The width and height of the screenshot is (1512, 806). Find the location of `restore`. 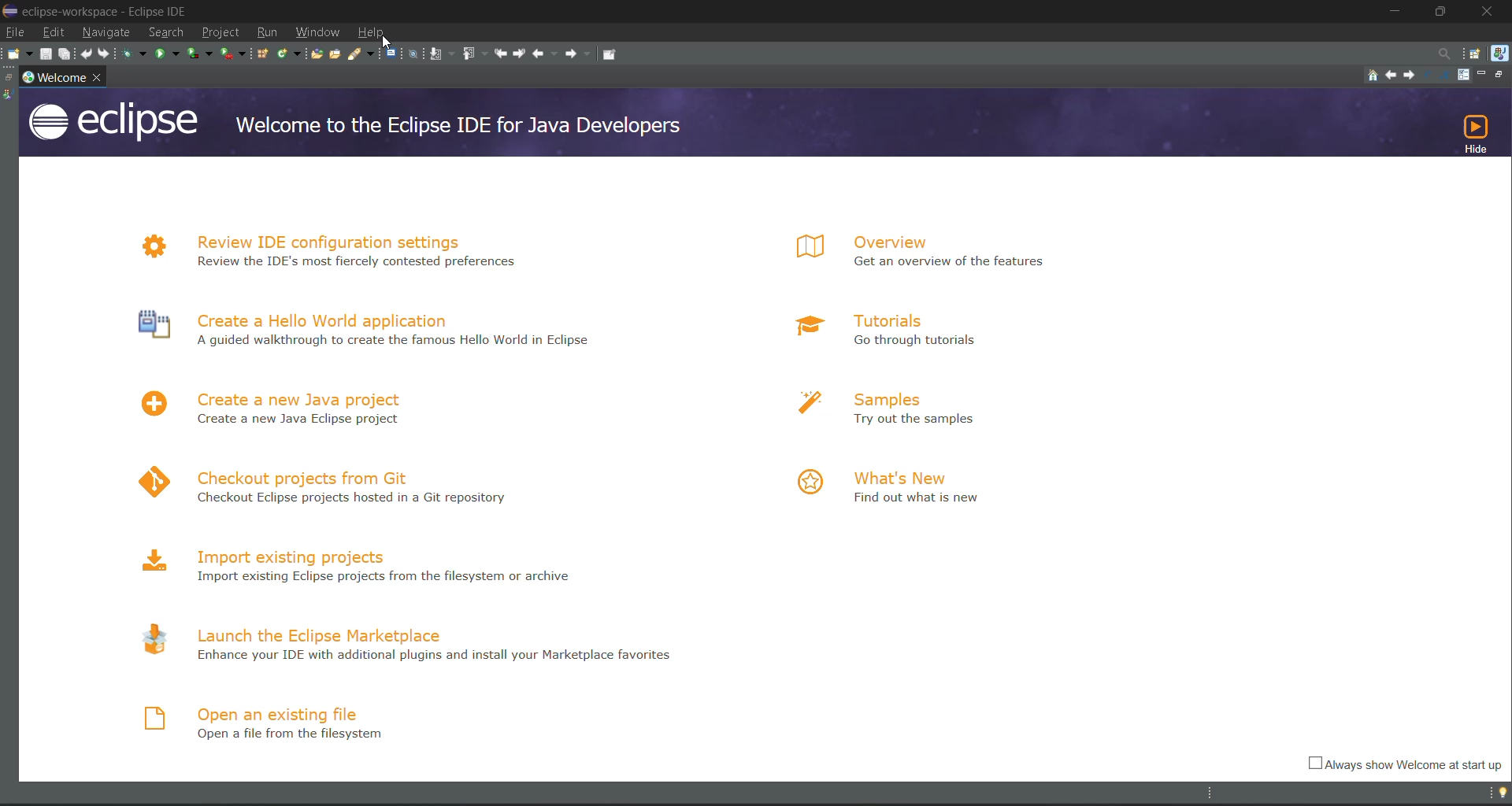

restore is located at coordinates (1502, 76).